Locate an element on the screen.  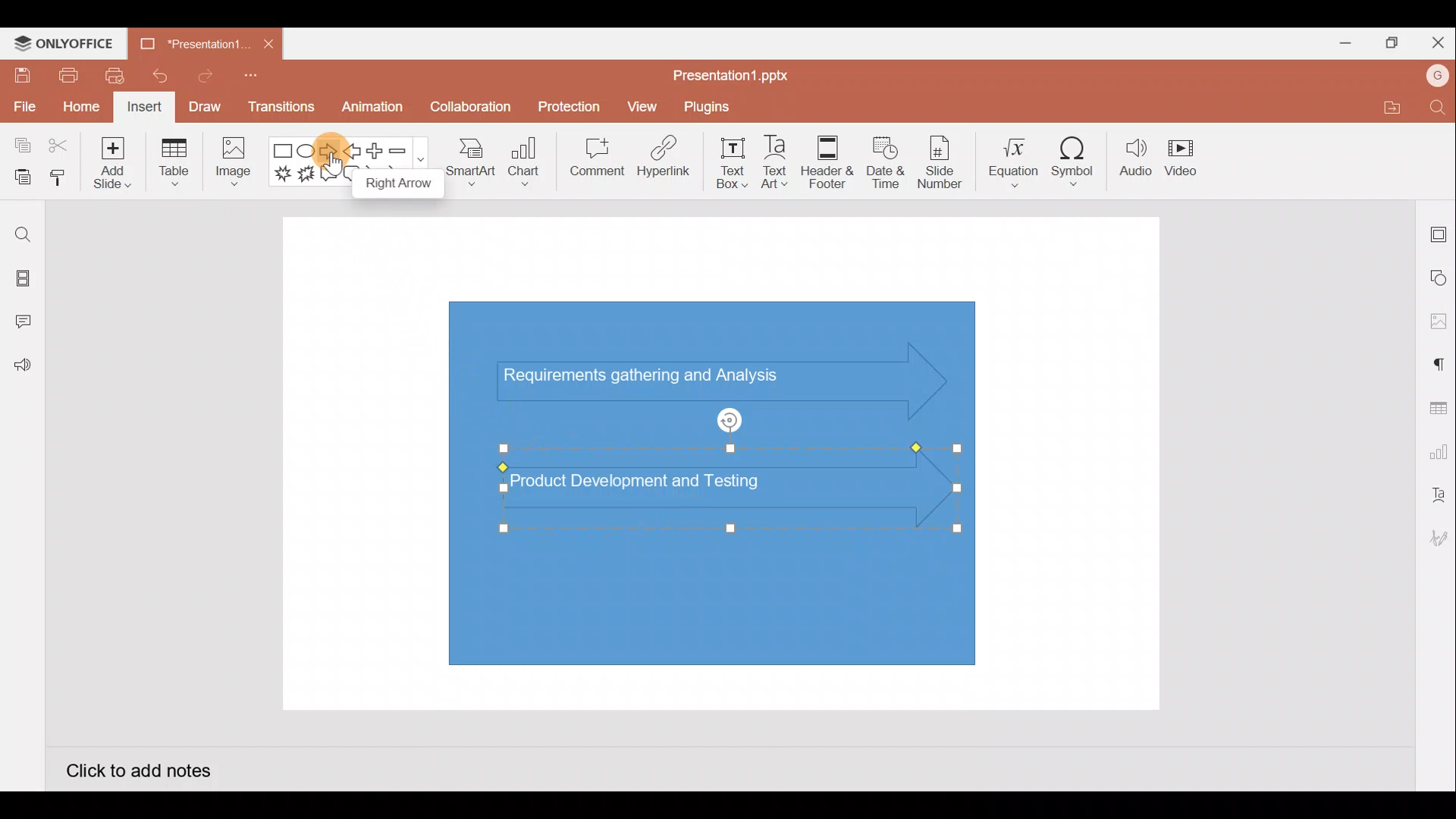
Close document is located at coordinates (268, 40).